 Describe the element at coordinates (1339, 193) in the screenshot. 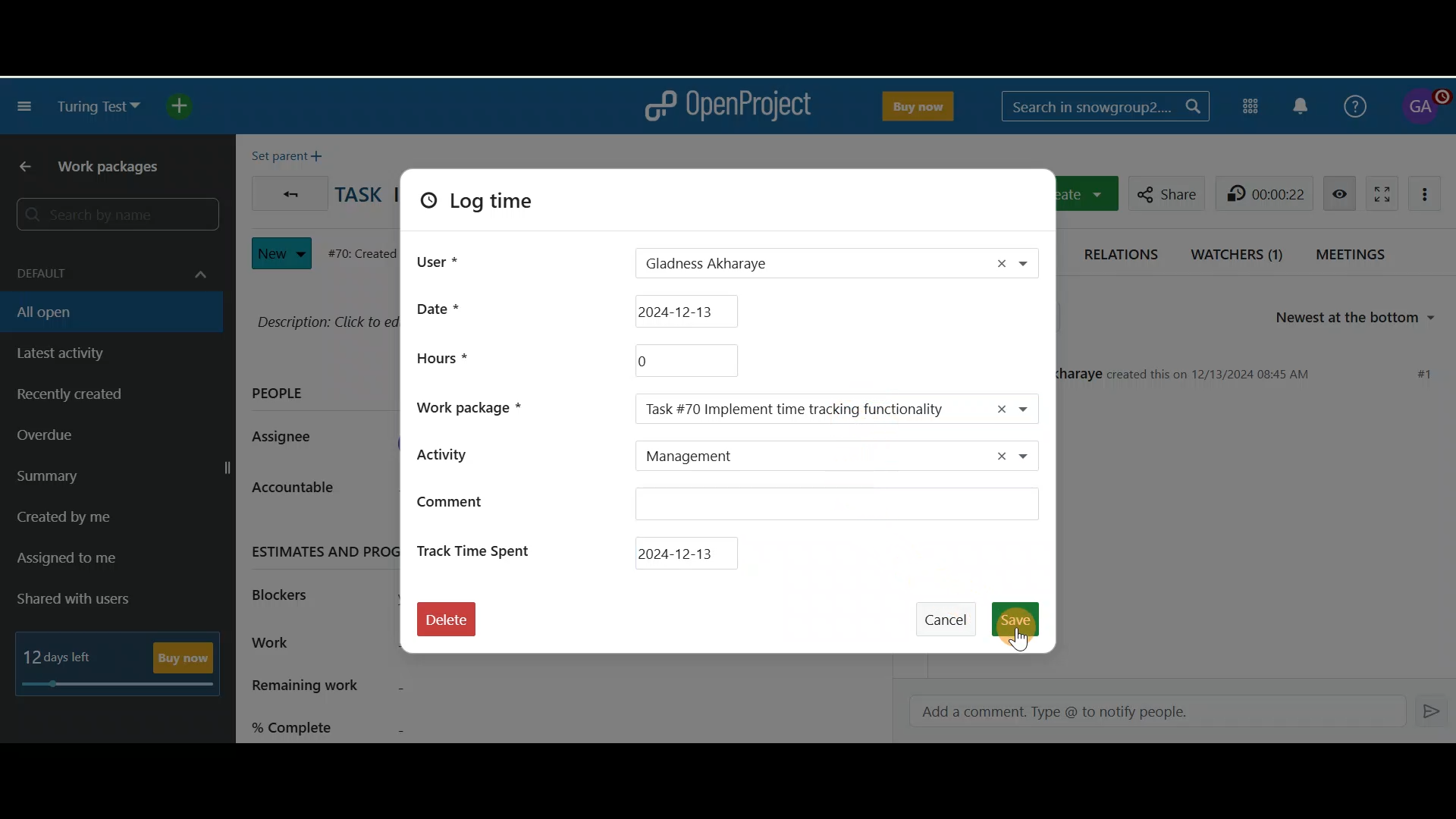

I see `Unwatch work package` at that location.